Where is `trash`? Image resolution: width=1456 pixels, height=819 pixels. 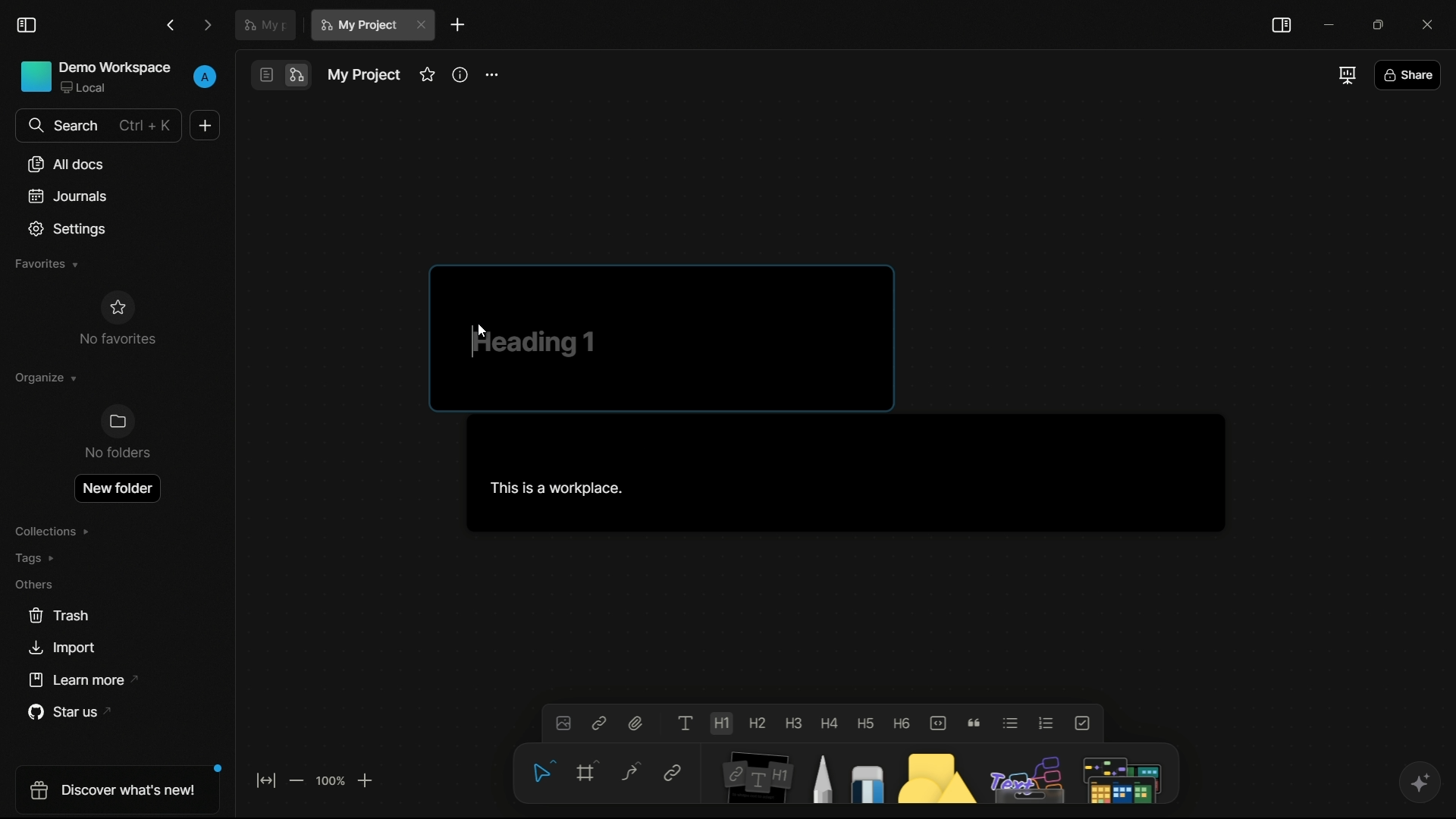
trash is located at coordinates (57, 615).